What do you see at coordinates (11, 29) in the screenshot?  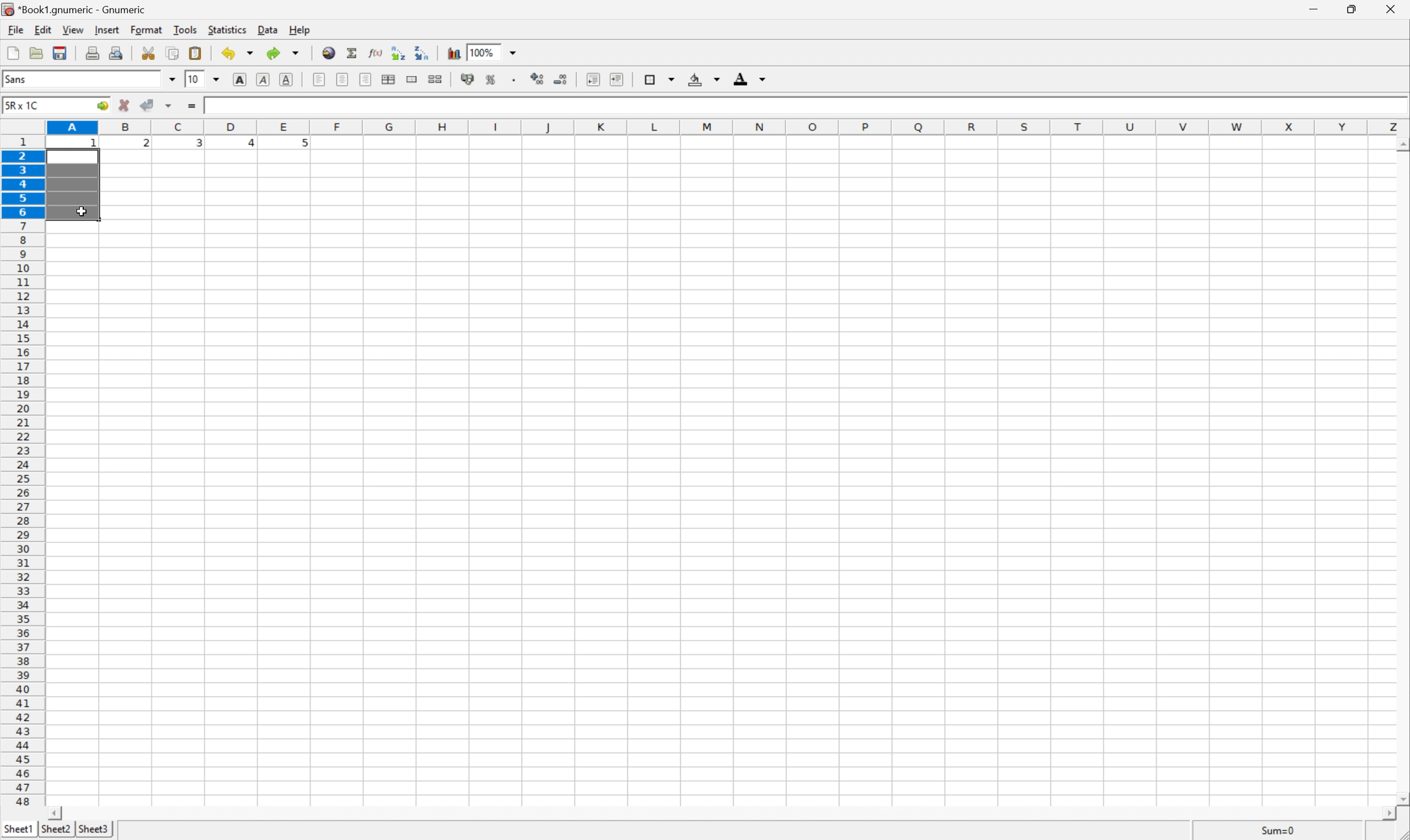 I see `file` at bounding box center [11, 29].